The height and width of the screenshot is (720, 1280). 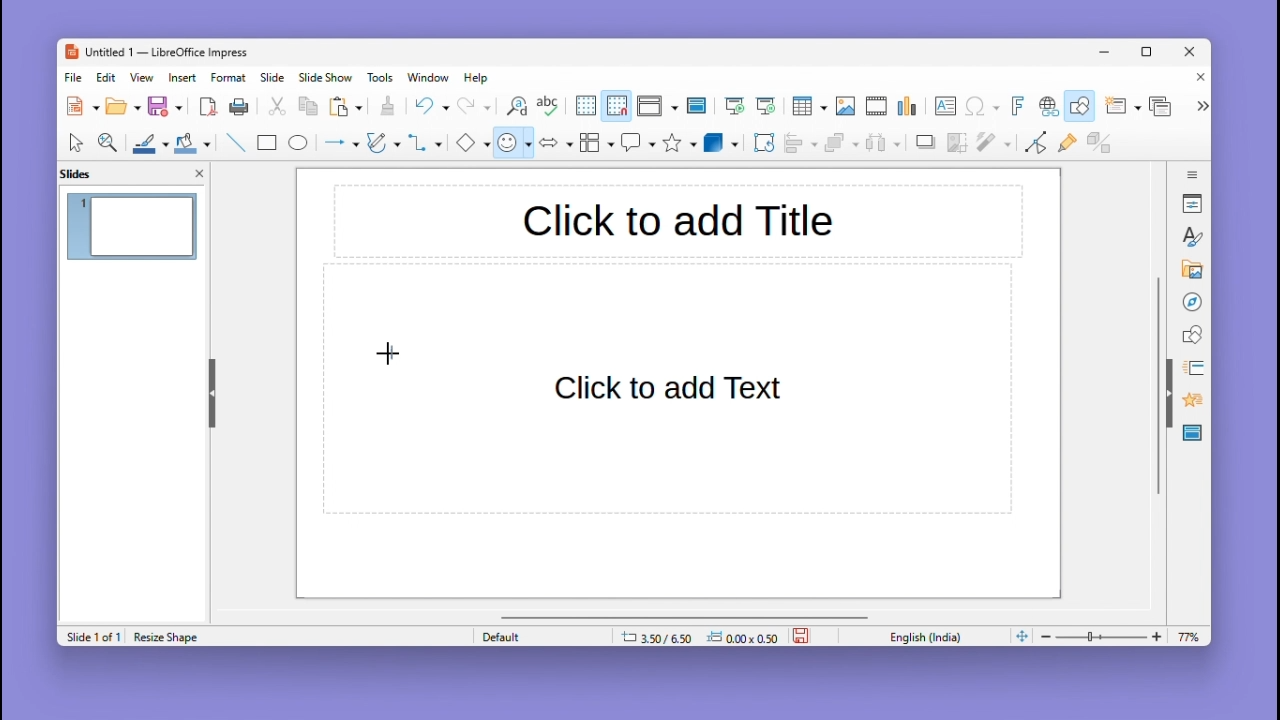 I want to click on Arrange, so click(x=839, y=145).